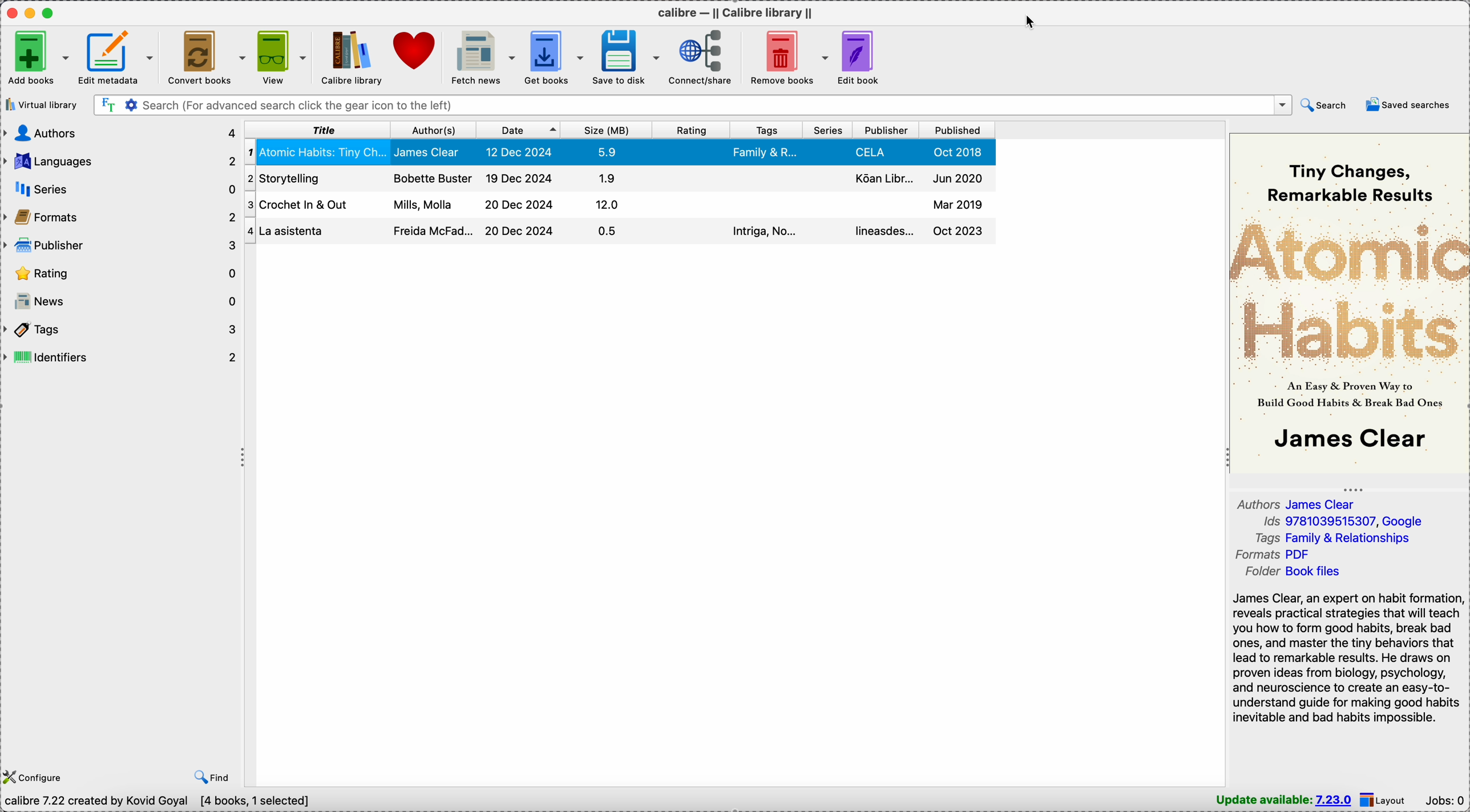 Image resolution: width=1470 pixels, height=812 pixels. Describe the element at coordinates (208, 56) in the screenshot. I see `convert books` at that location.